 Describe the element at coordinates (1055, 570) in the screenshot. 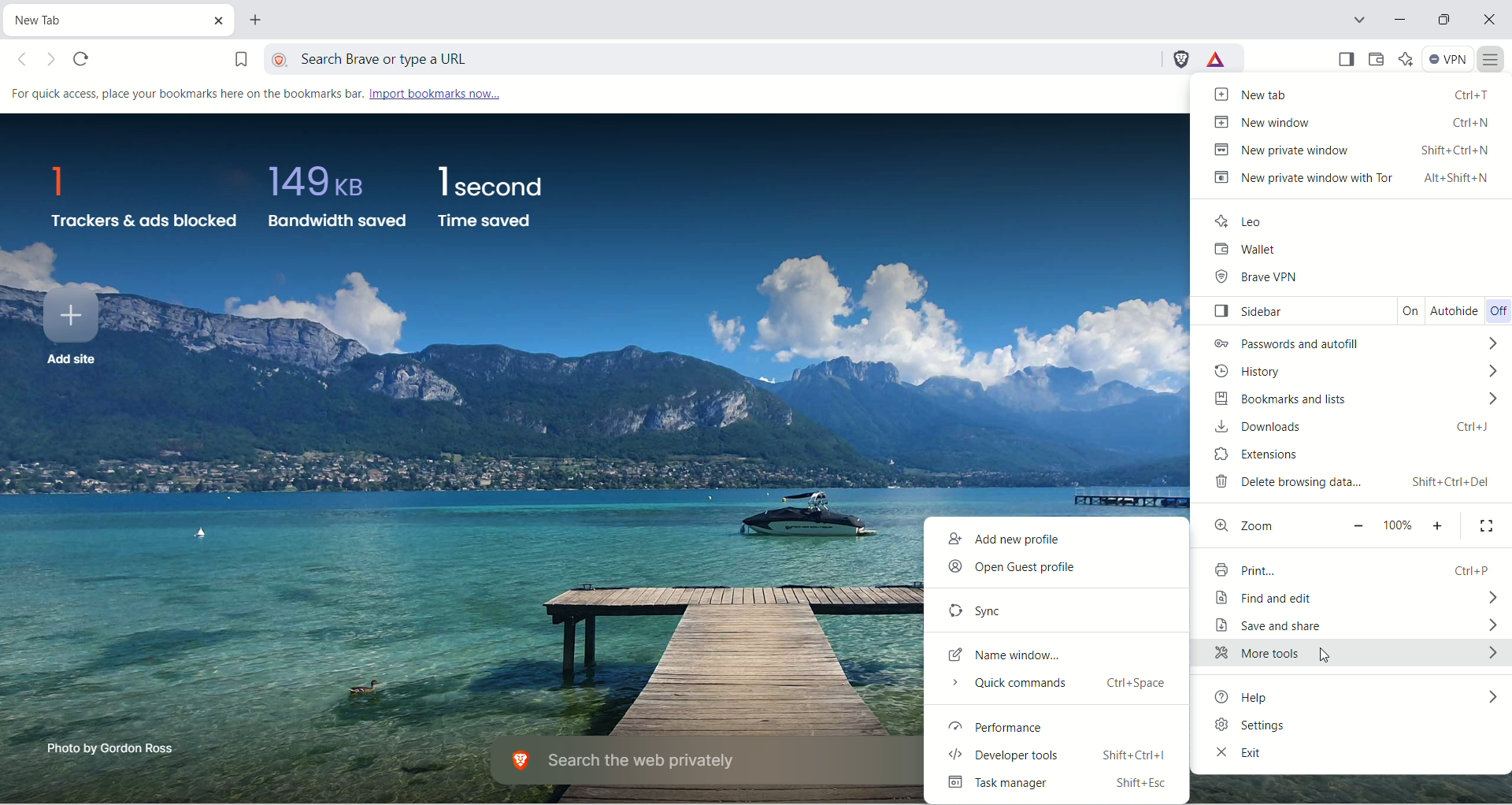

I see `open guest profile` at that location.